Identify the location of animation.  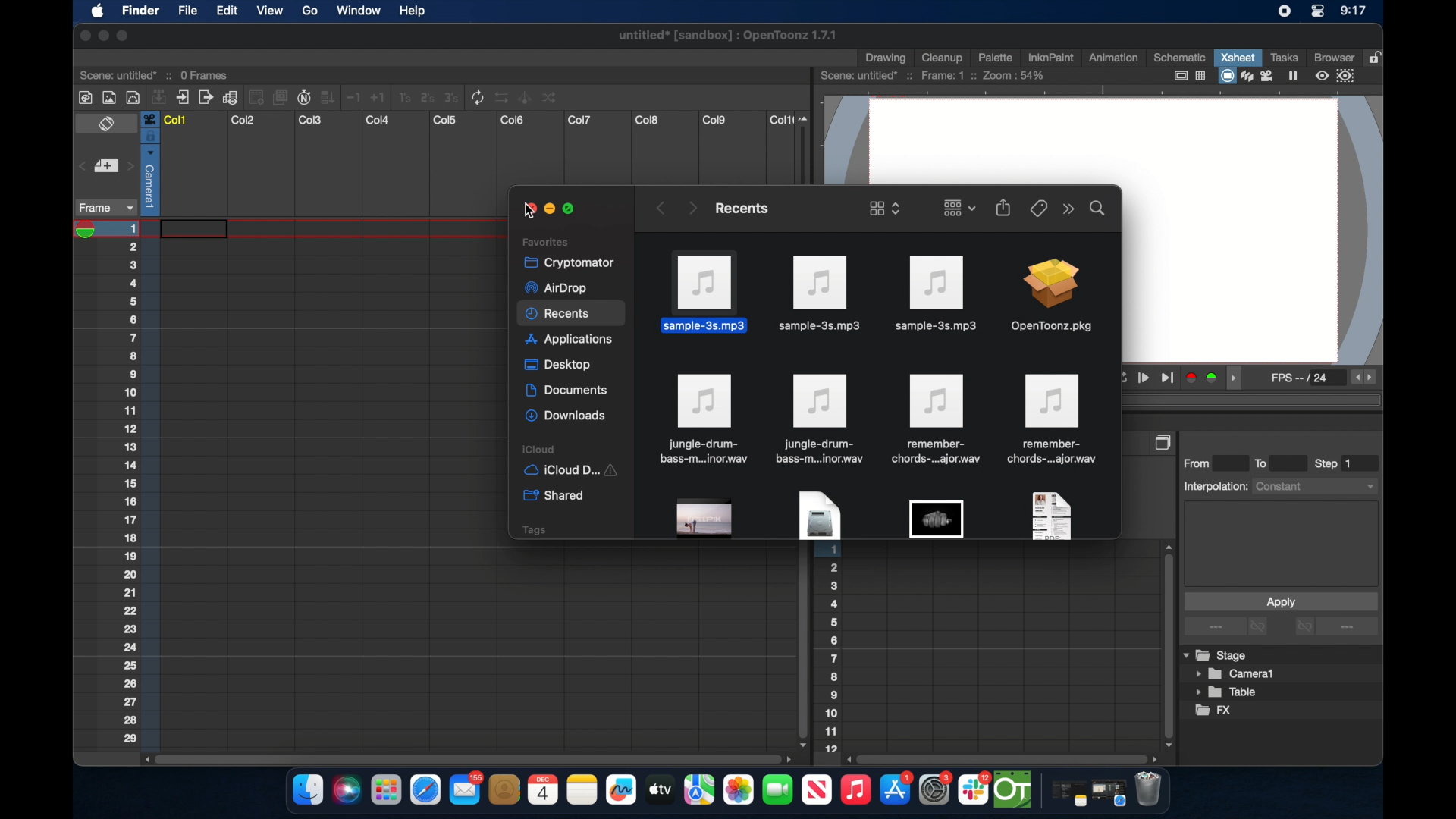
(1114, 58).